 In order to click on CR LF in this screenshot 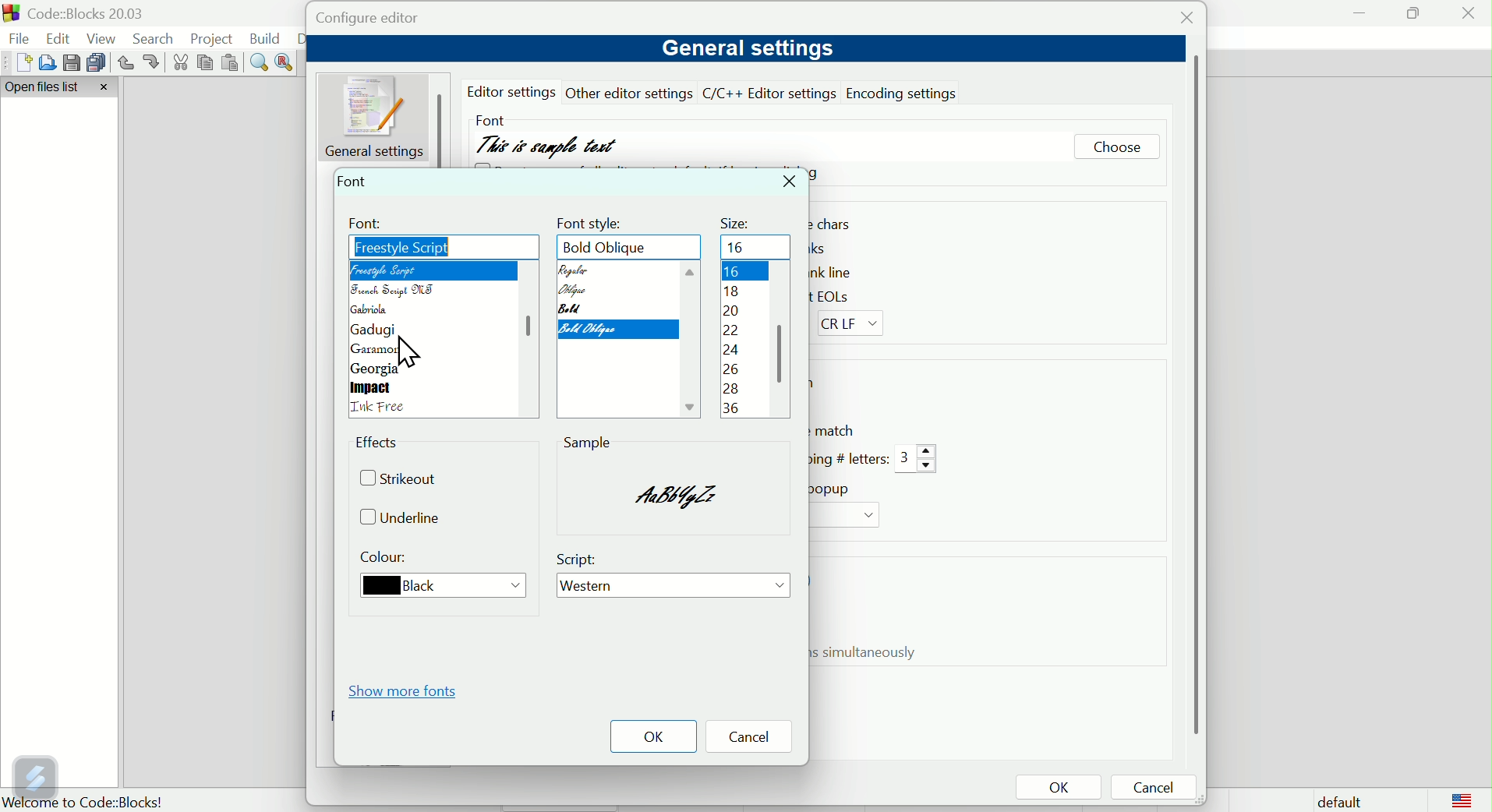, I will do `click(855, 324)`.